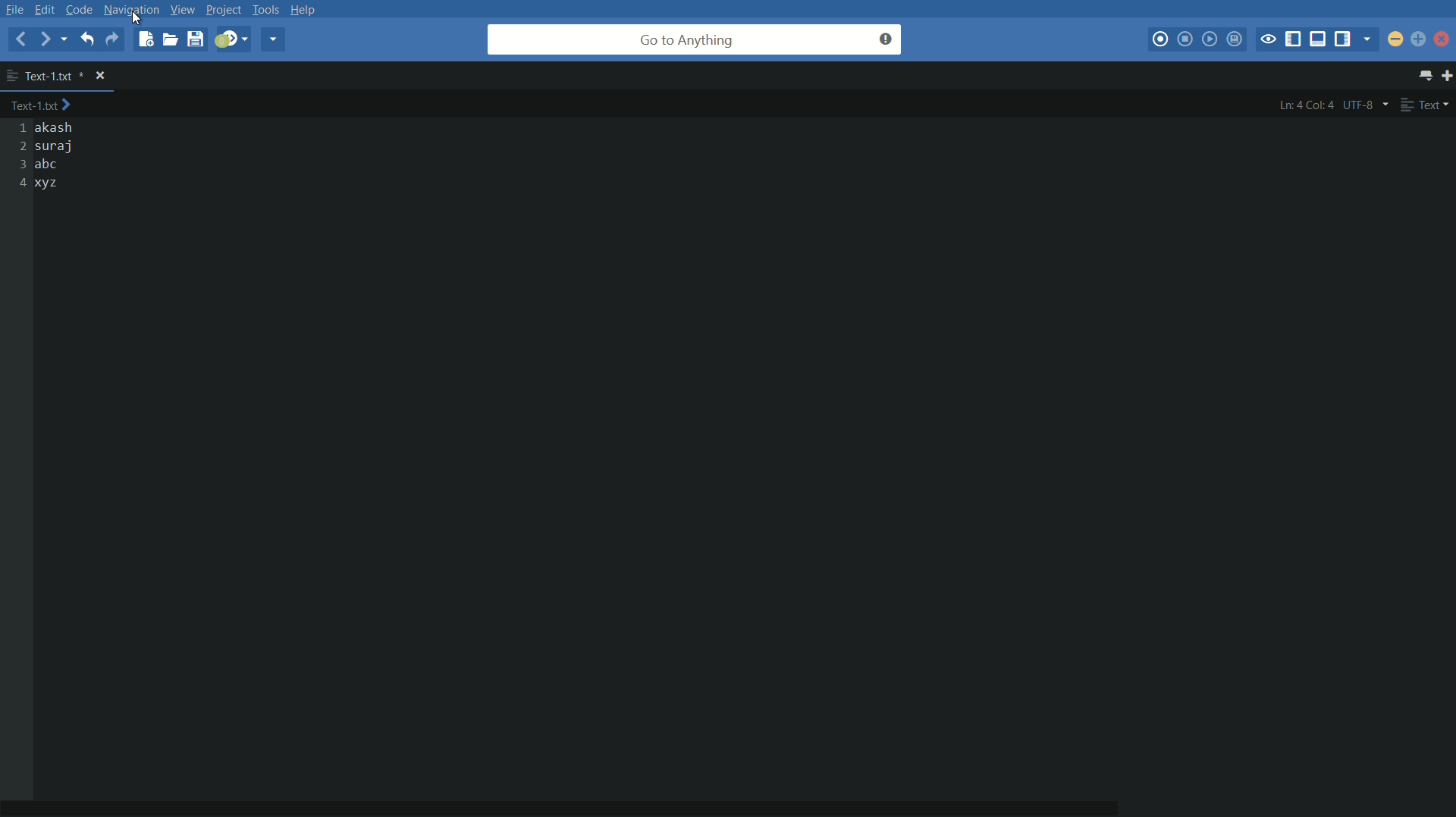  I want to click on close file, so click(102, 76).